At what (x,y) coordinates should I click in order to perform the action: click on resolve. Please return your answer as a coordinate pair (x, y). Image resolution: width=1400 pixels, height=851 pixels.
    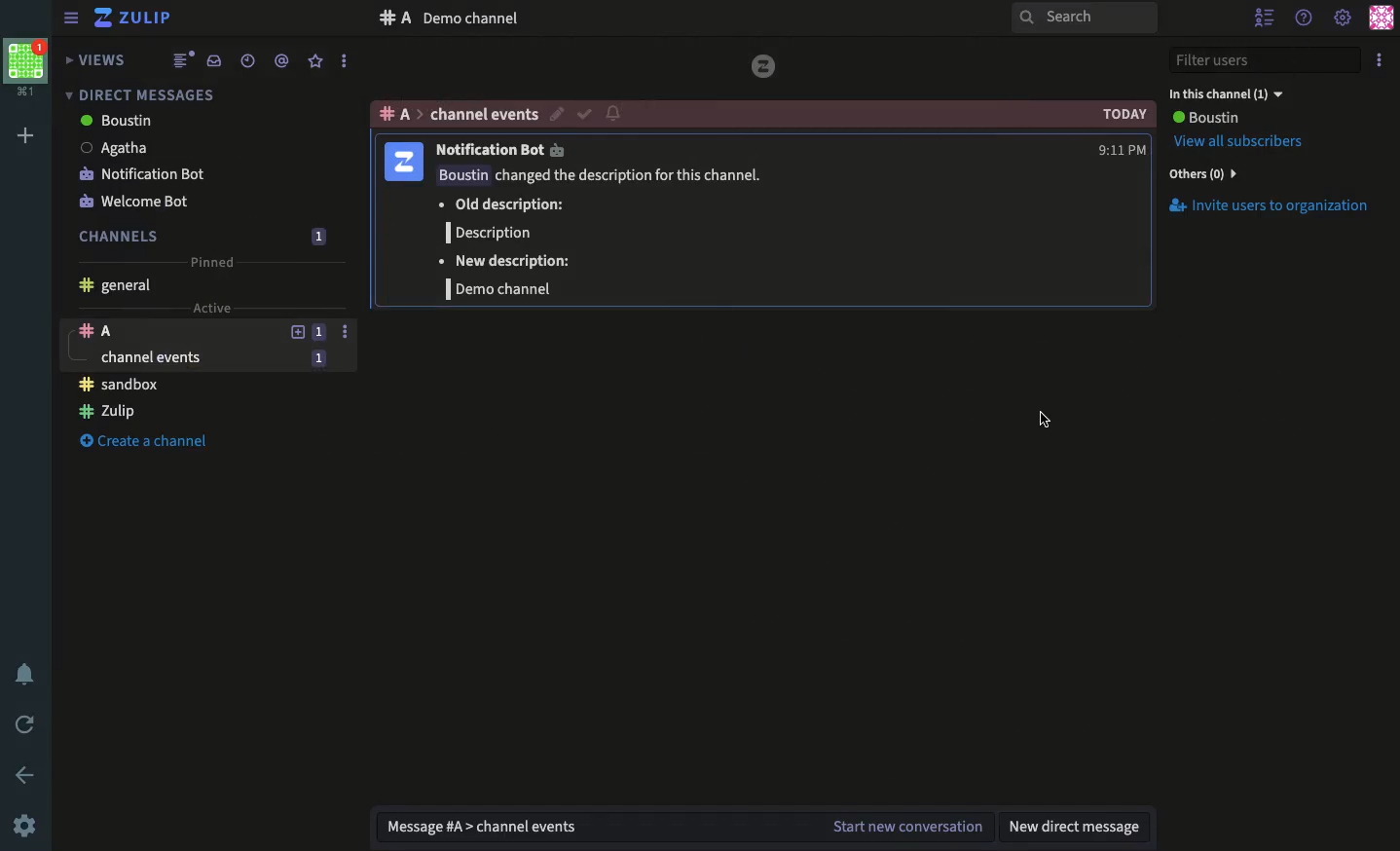
    Looking at the image, I should click on (584, 112).